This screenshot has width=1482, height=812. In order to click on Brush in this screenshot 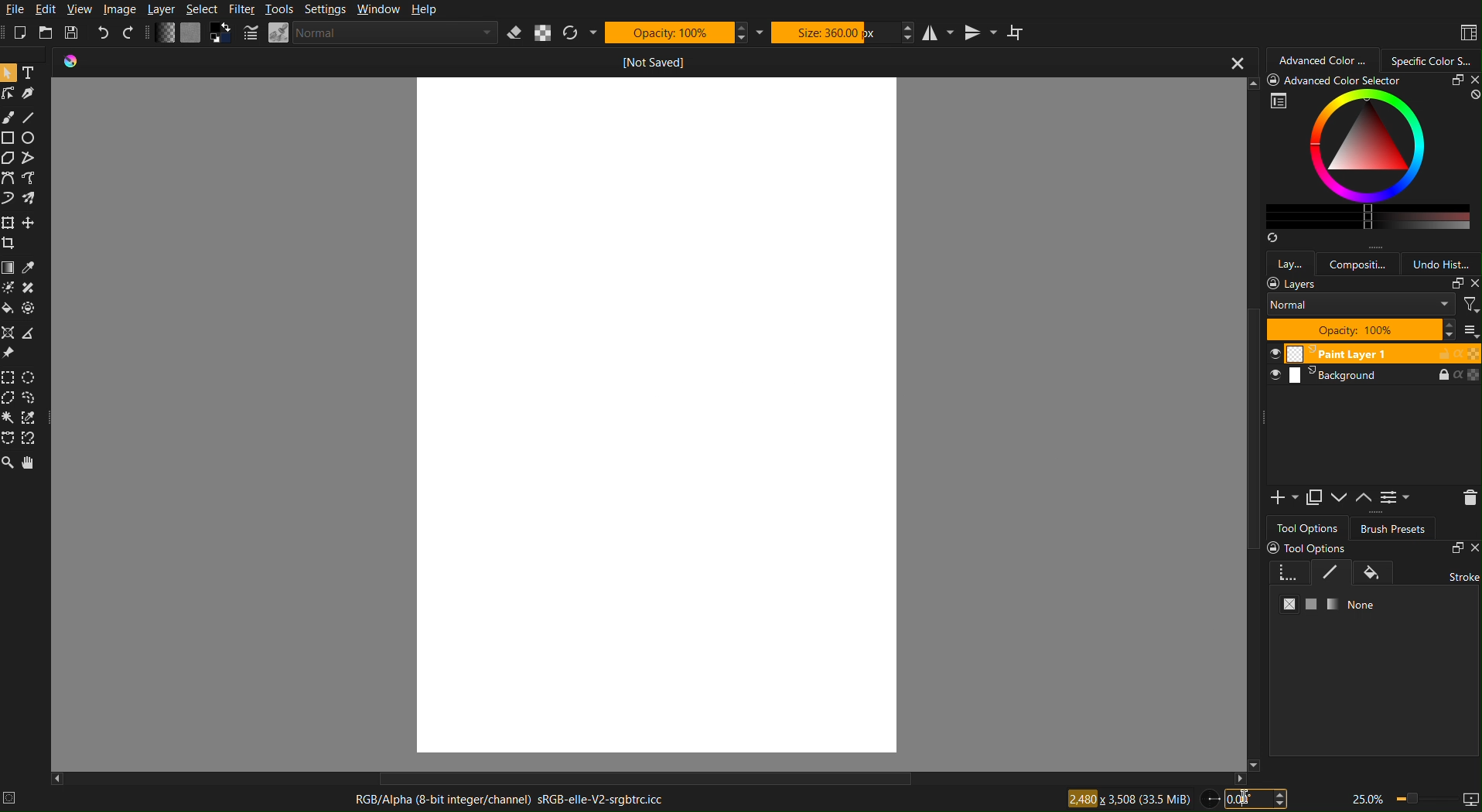, I will do `click(9, 115)`.